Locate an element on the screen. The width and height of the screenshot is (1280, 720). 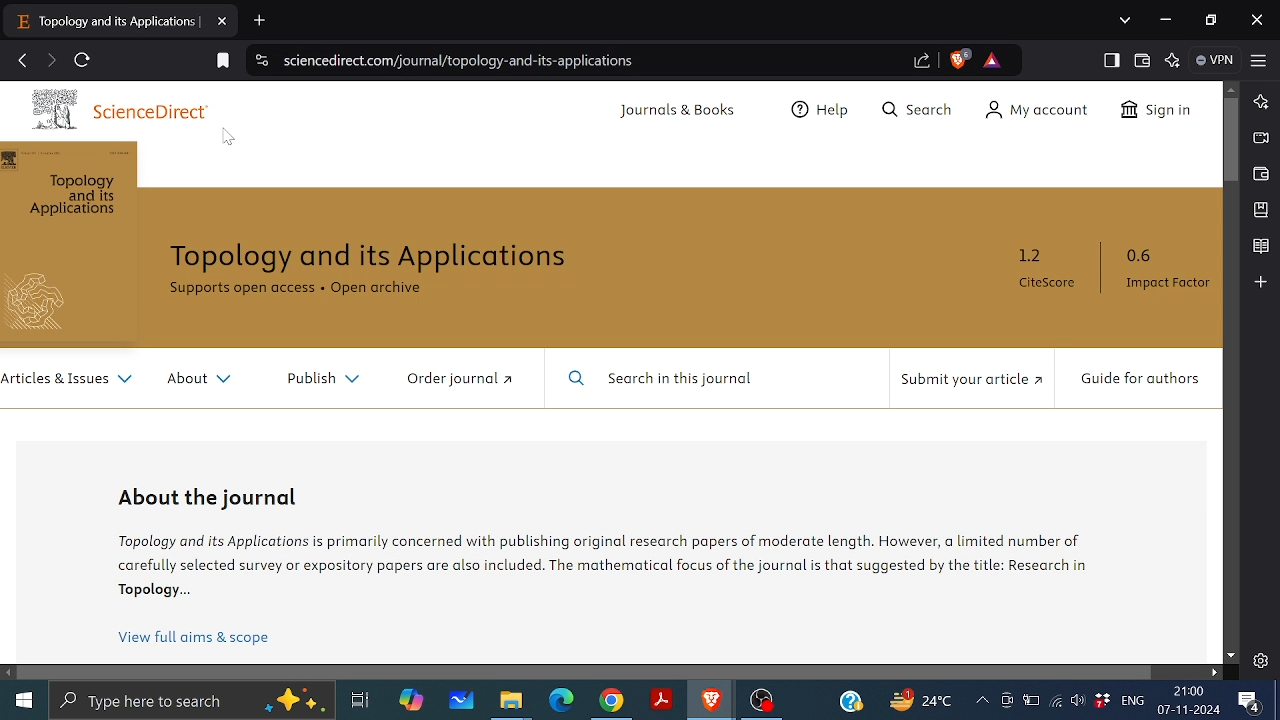
Speaker/Headphone is located at coordinates (1076, 701).